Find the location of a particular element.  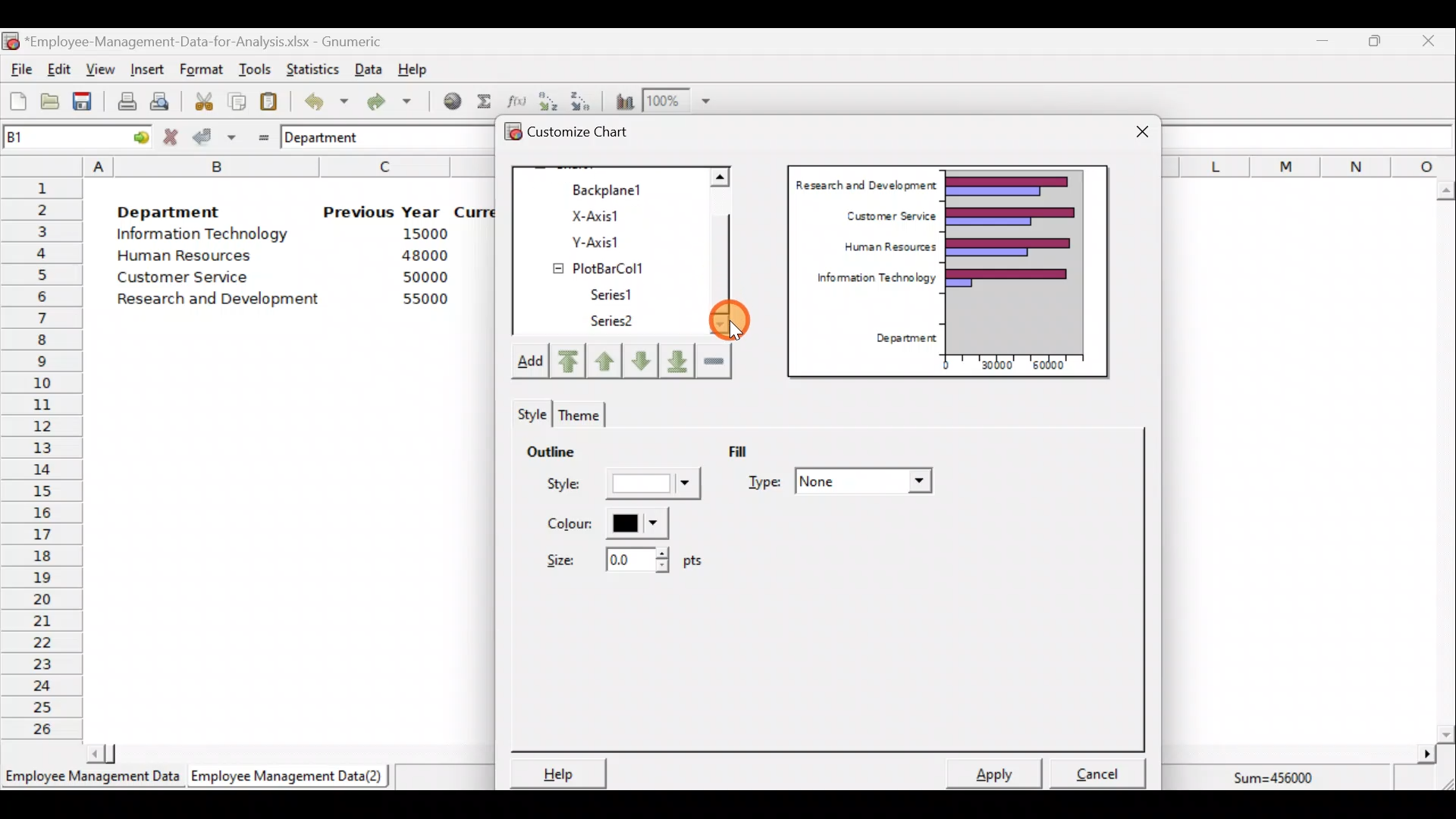

X-axis1 is located at coordinates (613, 215).